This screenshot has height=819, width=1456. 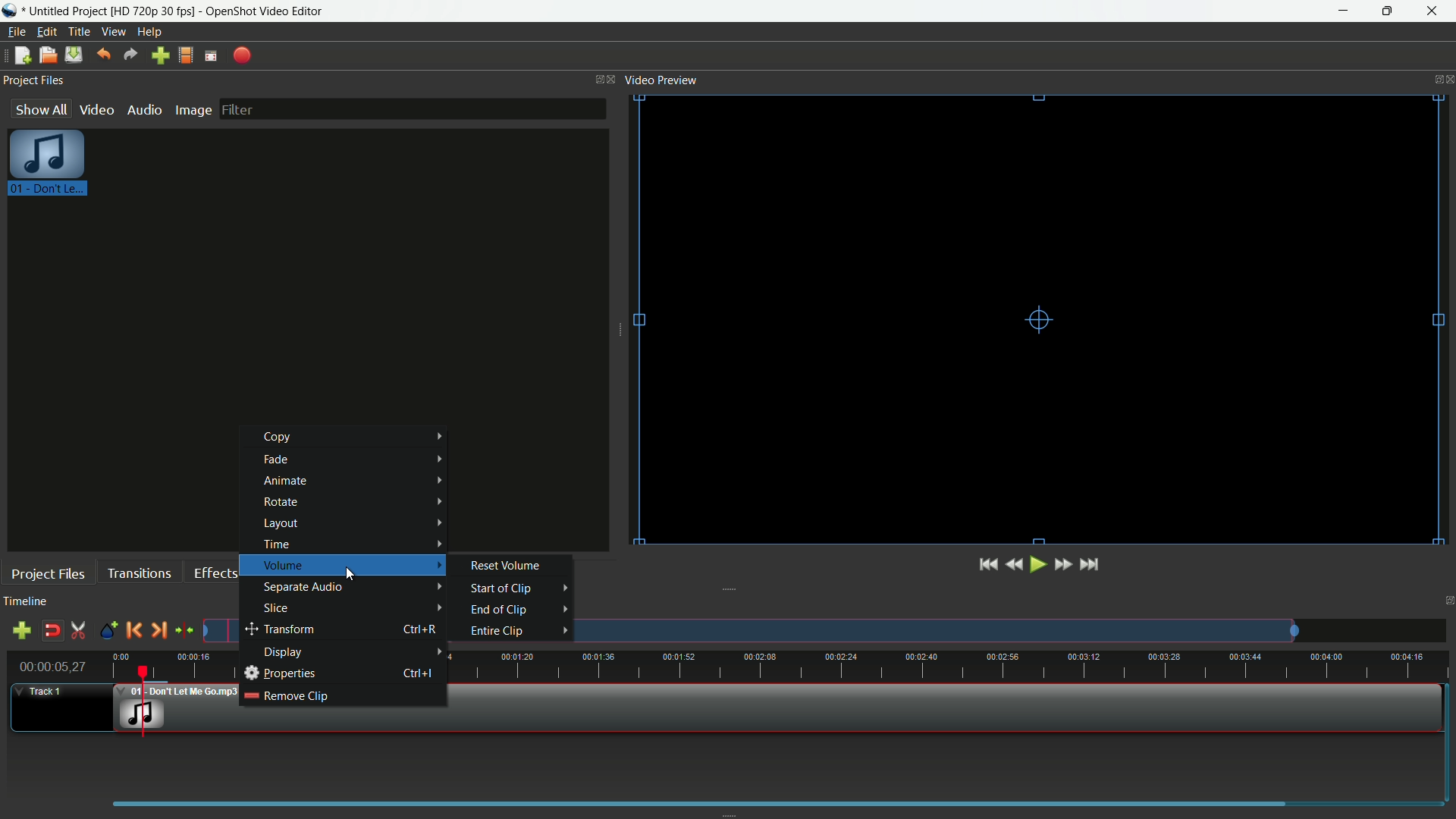 What do you see at coordinates (1434, 12) in the screenshot?
I see `close app` at bounding box center [1434, 12].